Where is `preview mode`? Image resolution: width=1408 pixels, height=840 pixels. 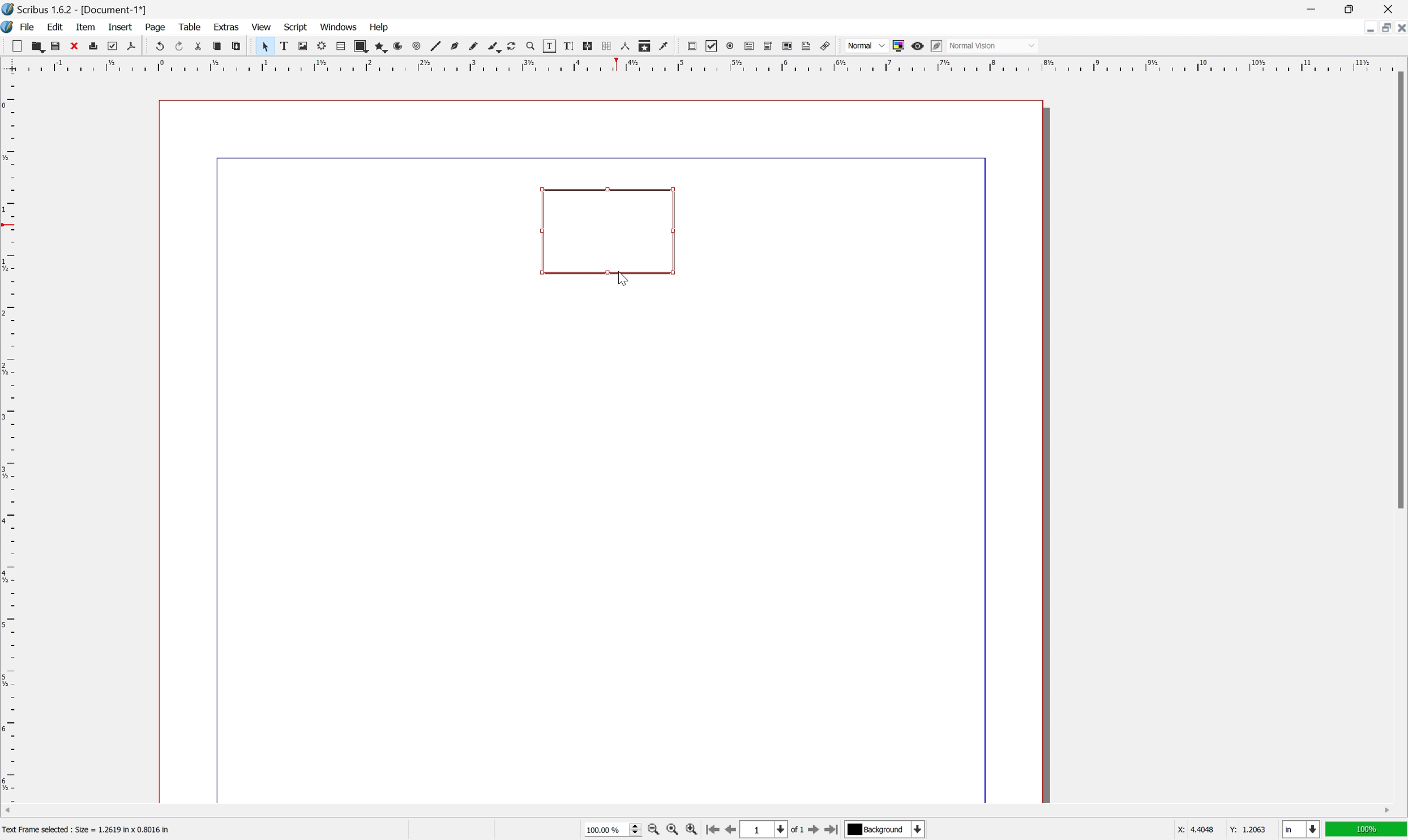 preview mode is located at coordinates (917, 46).